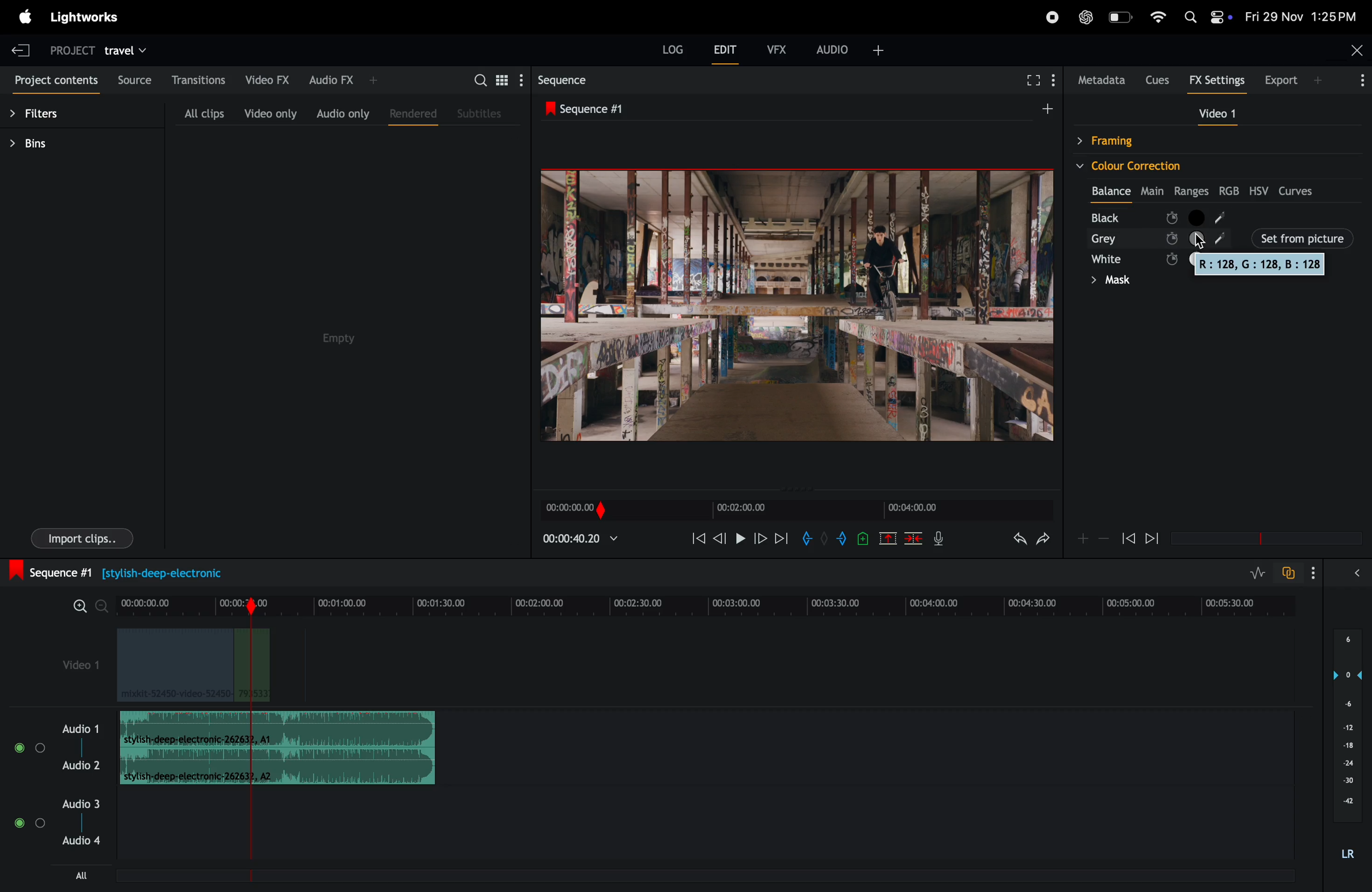  What do you see at coordinates (698, 538) in the screenshot?
I see `rewind ` at bounding box center [698, 538].